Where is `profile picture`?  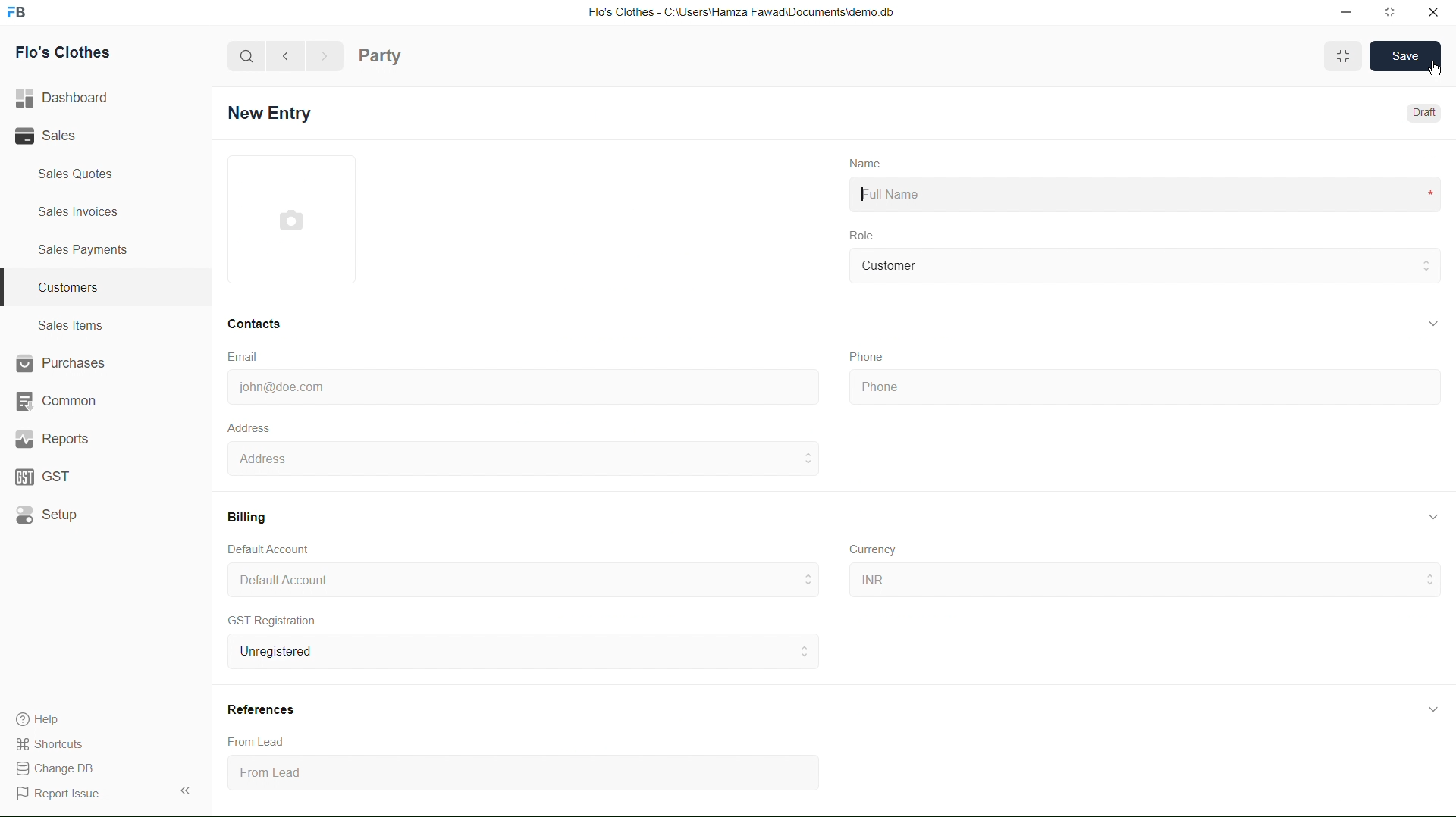
profile picture is located at coordinates (293, 221).